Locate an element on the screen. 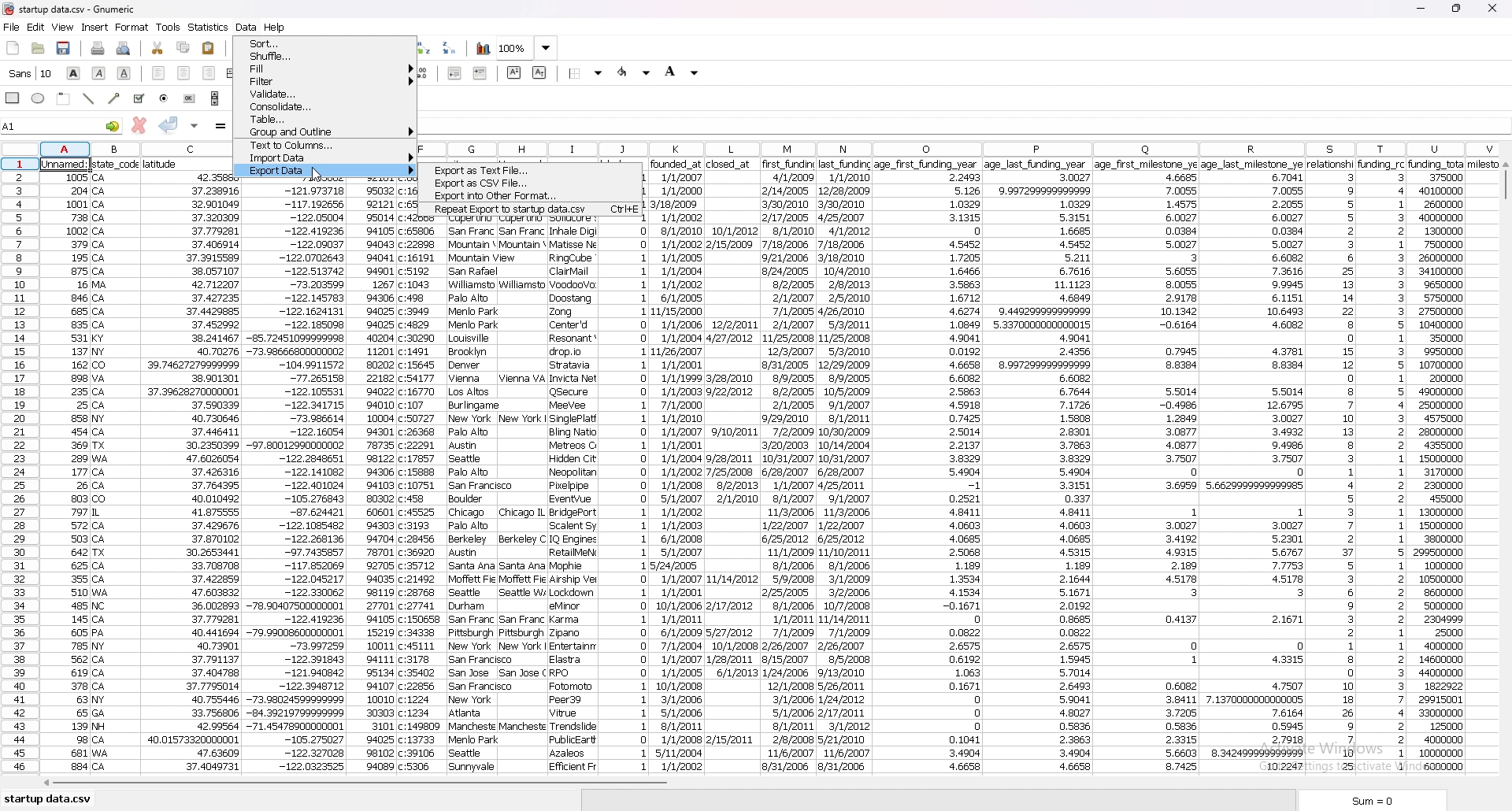 This screenshot has width=1512, height=811. left align is located at coordinates (159, 73).